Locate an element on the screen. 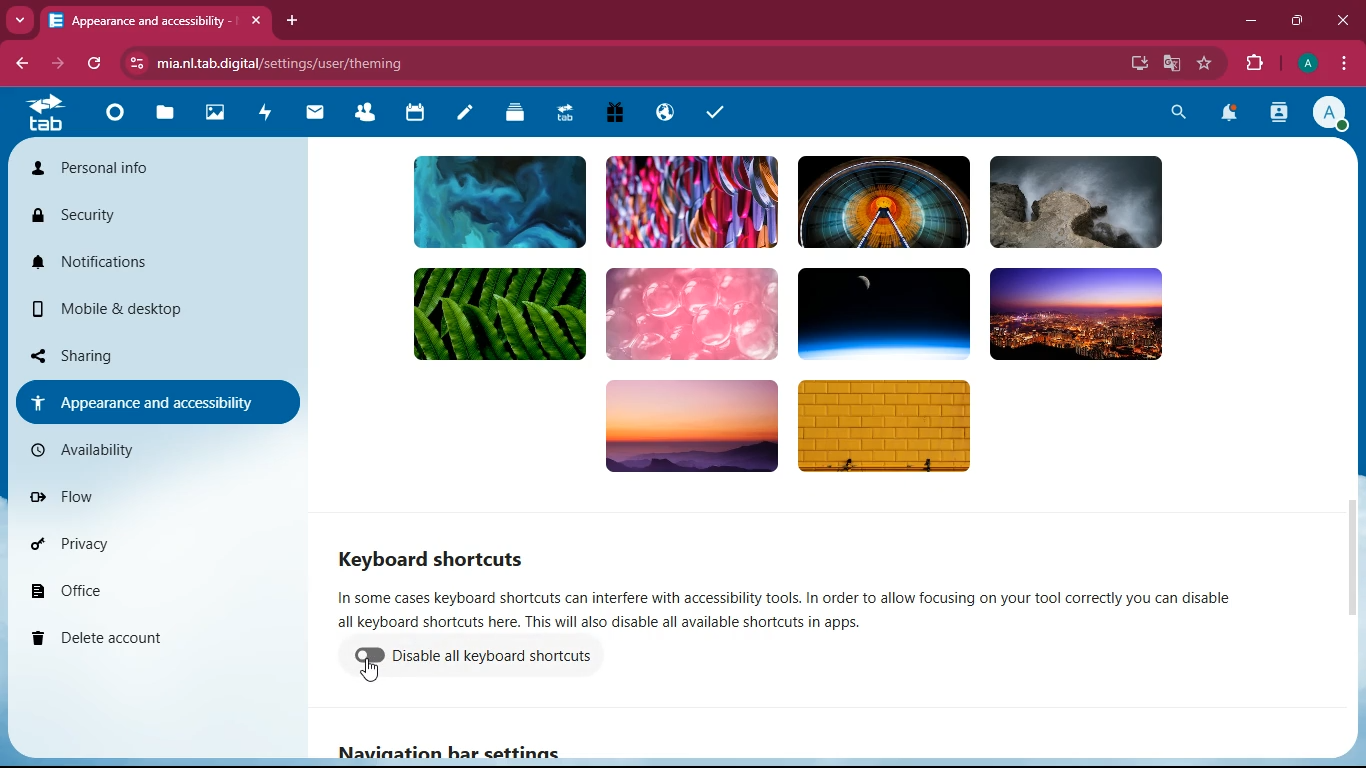 This screenshot has width=1366, height=768. calendar is located at coordinates (416, 115).